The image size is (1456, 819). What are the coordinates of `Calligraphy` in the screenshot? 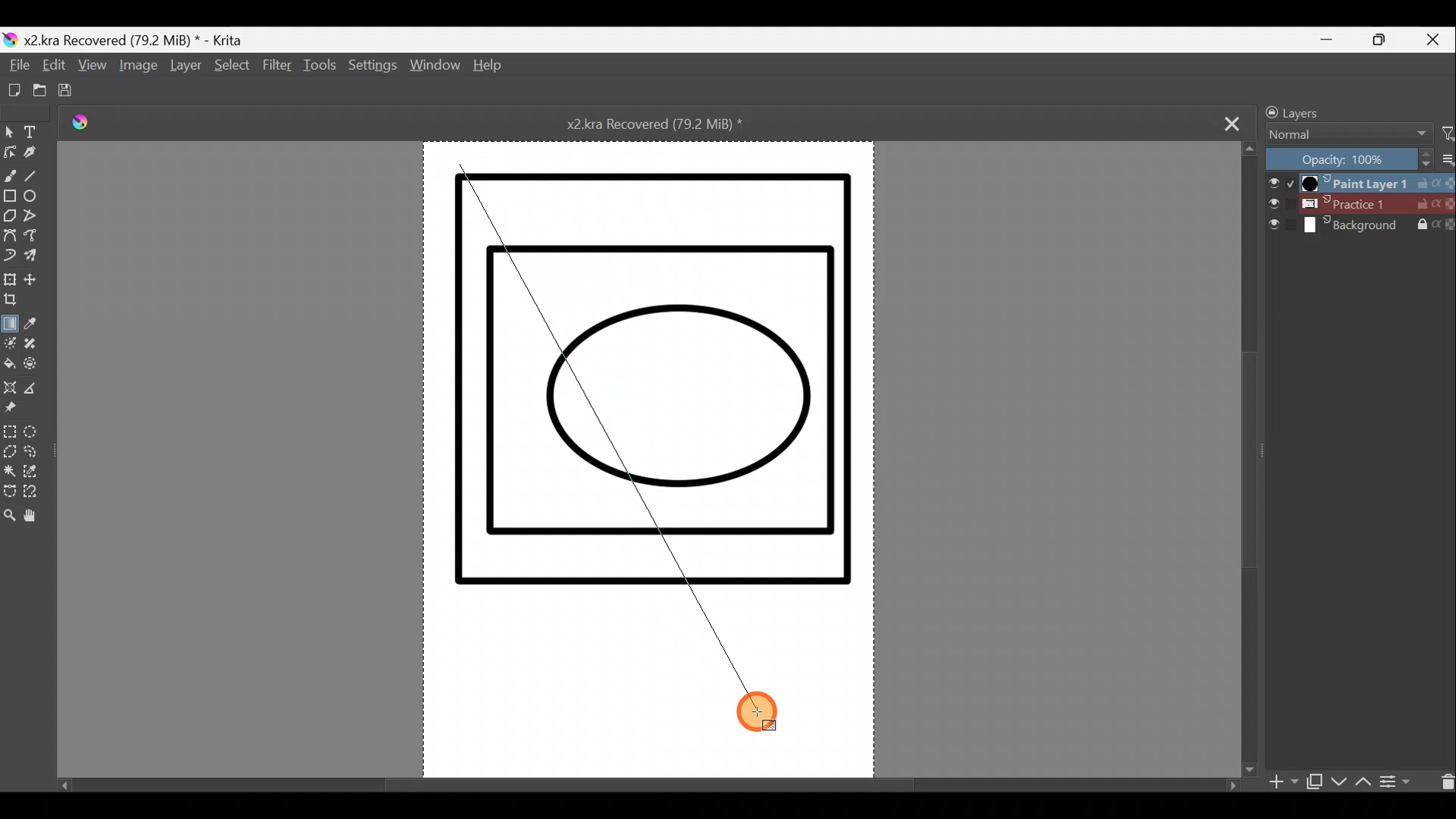 It's located at (30, 157).